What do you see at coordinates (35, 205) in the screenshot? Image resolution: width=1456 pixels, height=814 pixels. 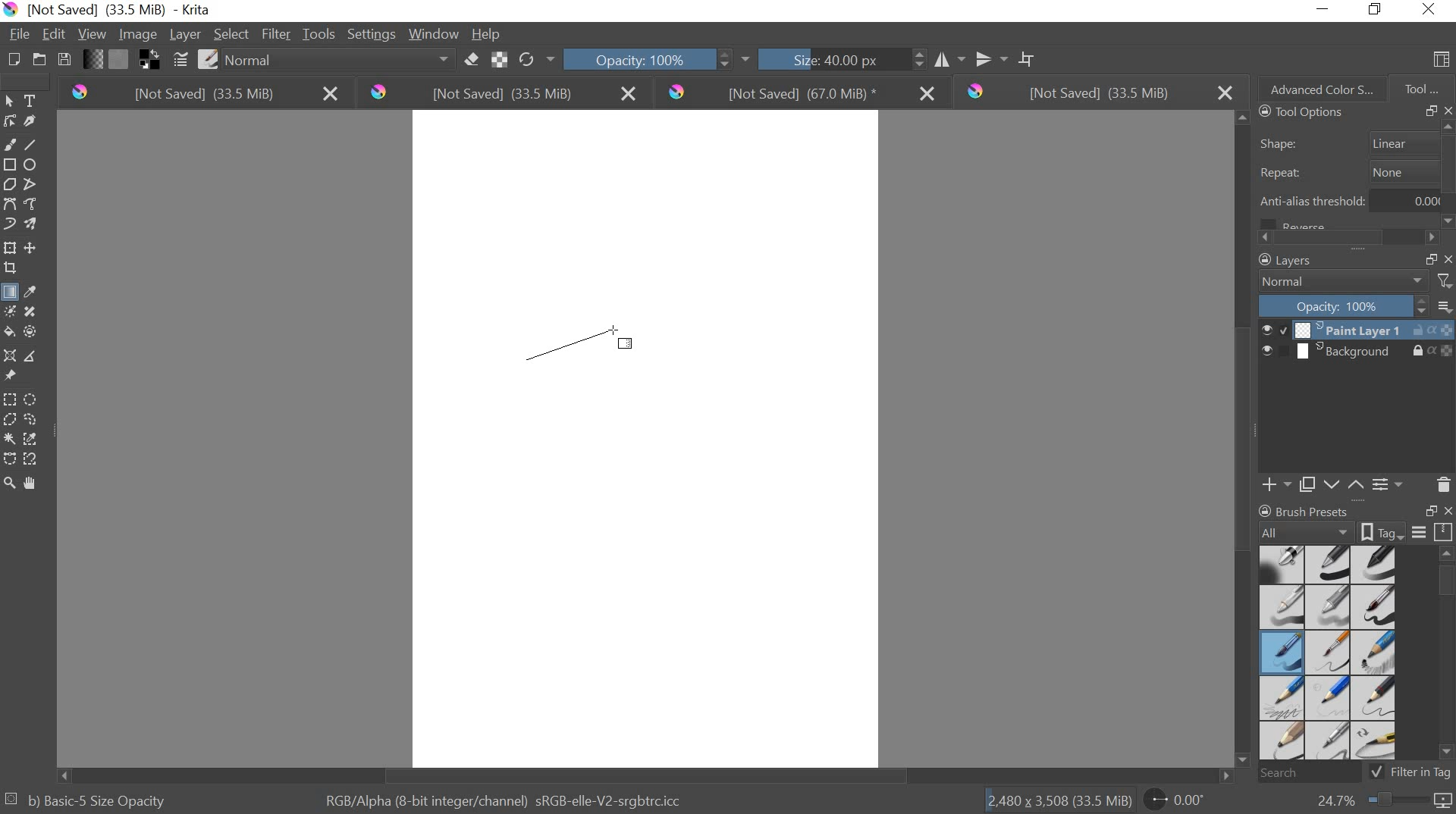 I see `freehand path tool` at bounding box center [35, 205].